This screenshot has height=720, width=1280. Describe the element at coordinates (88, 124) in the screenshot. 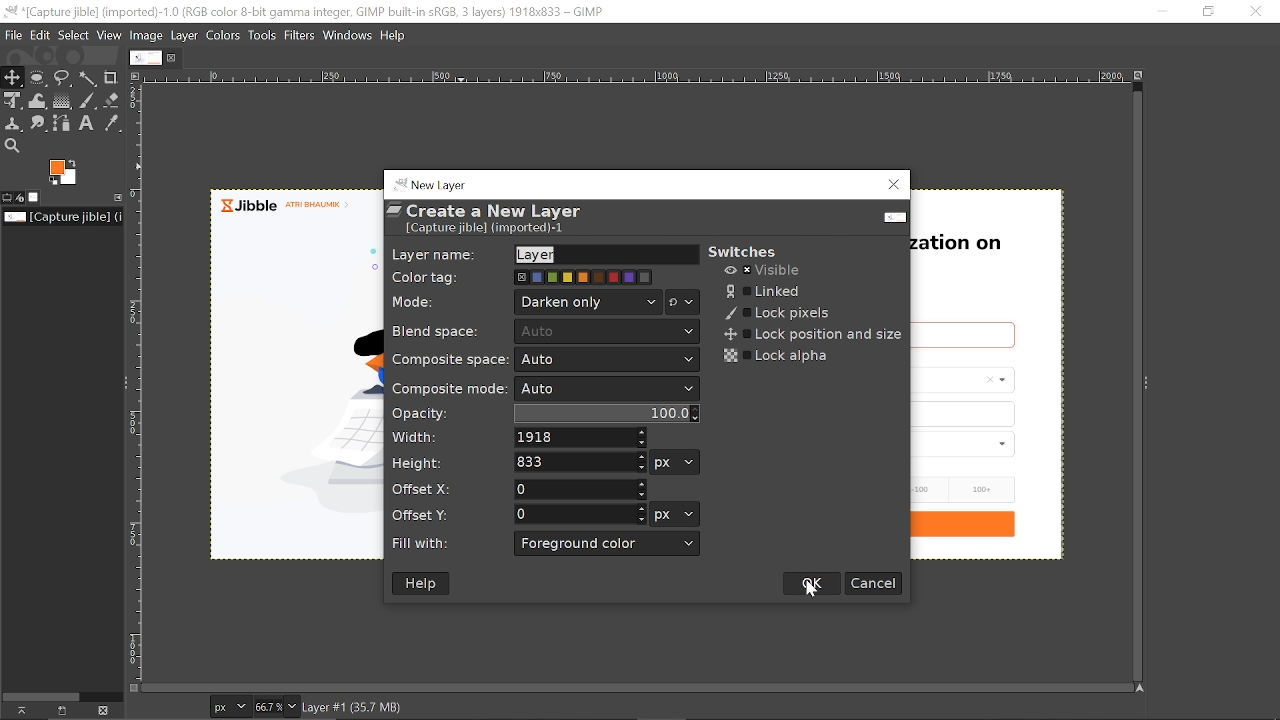

I see `Text tool` at that location.